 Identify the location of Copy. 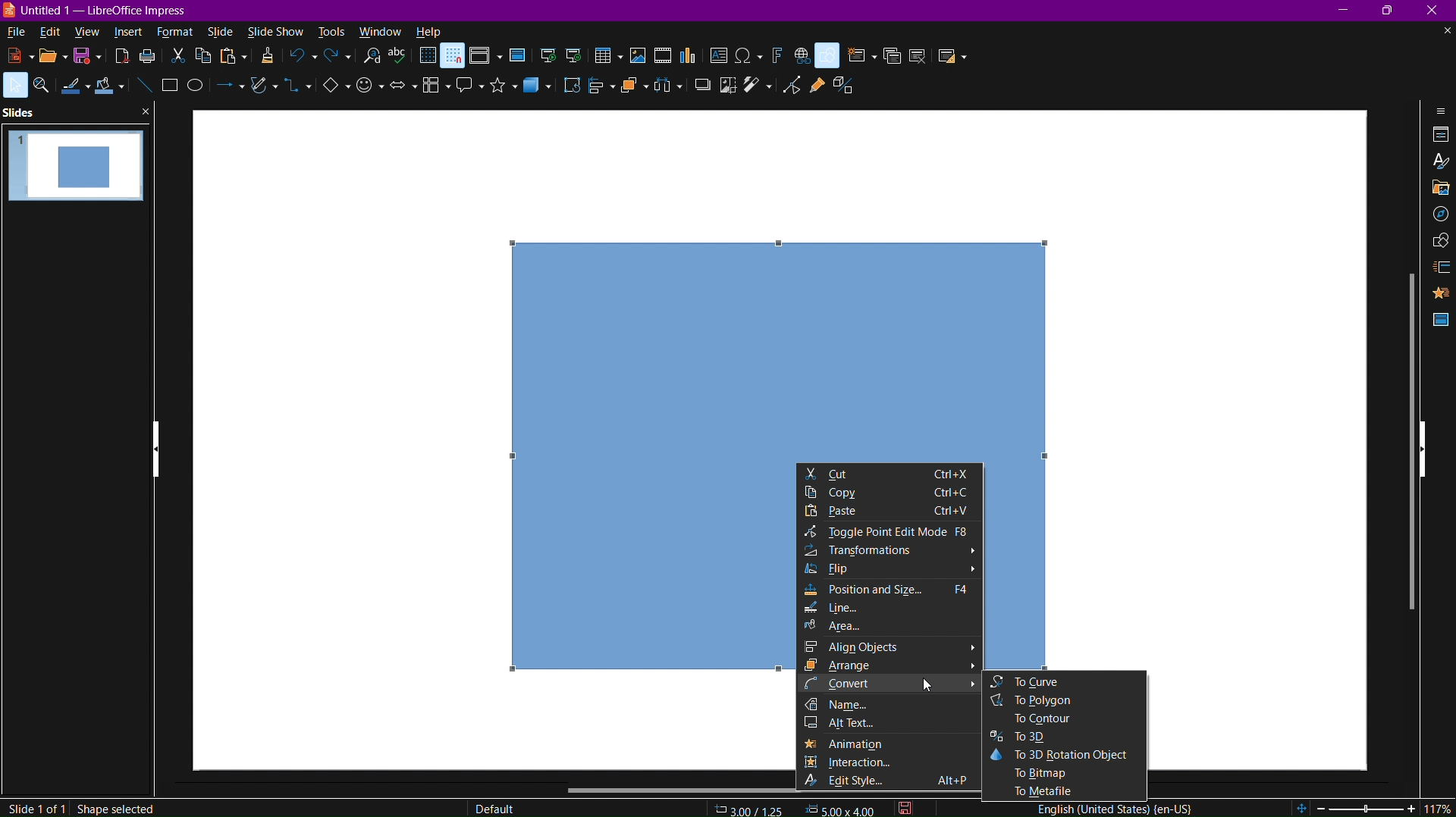
(893, 495).